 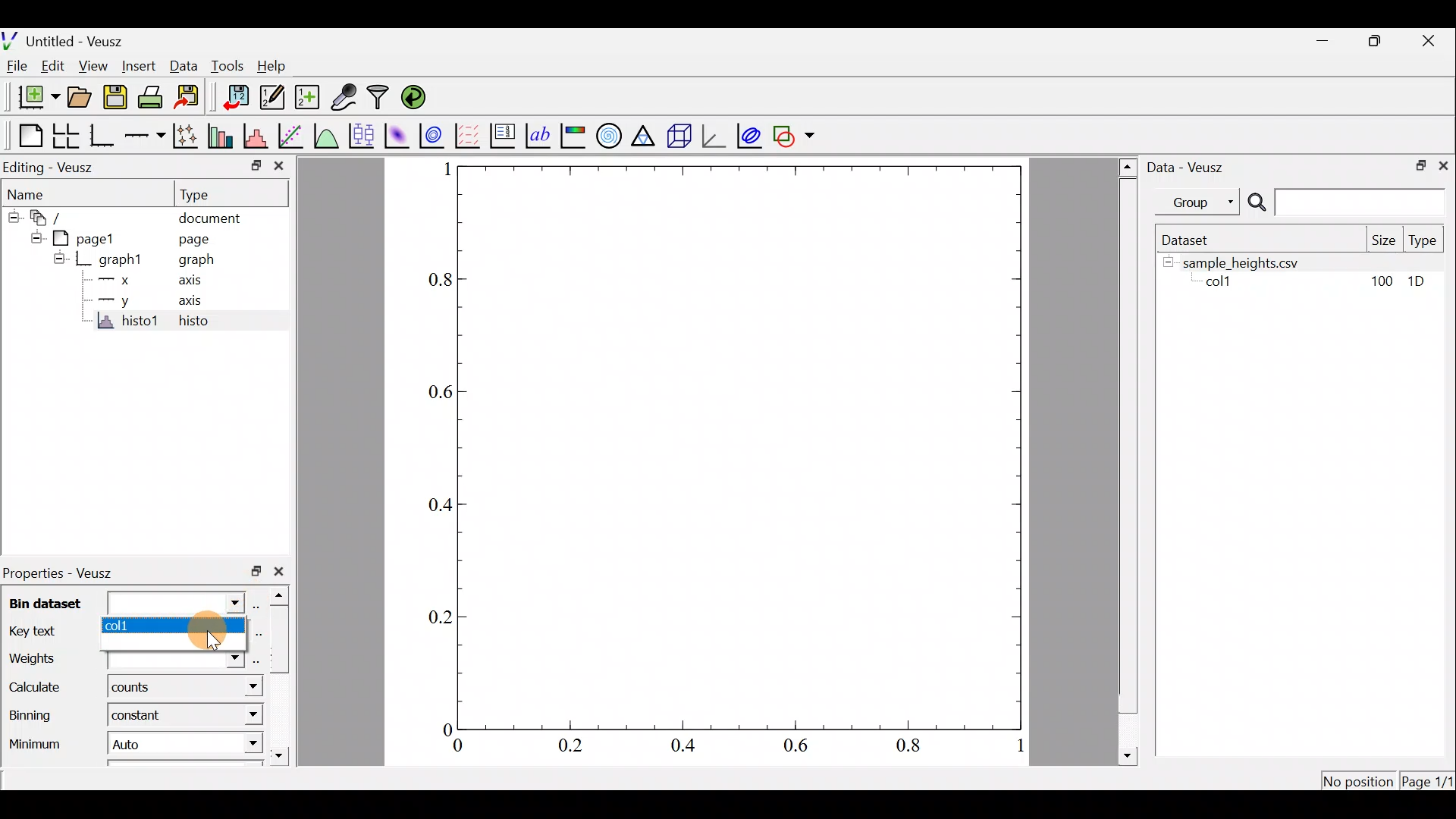 I want to click on Untitled - Veusz, so click(x=63, y=40).